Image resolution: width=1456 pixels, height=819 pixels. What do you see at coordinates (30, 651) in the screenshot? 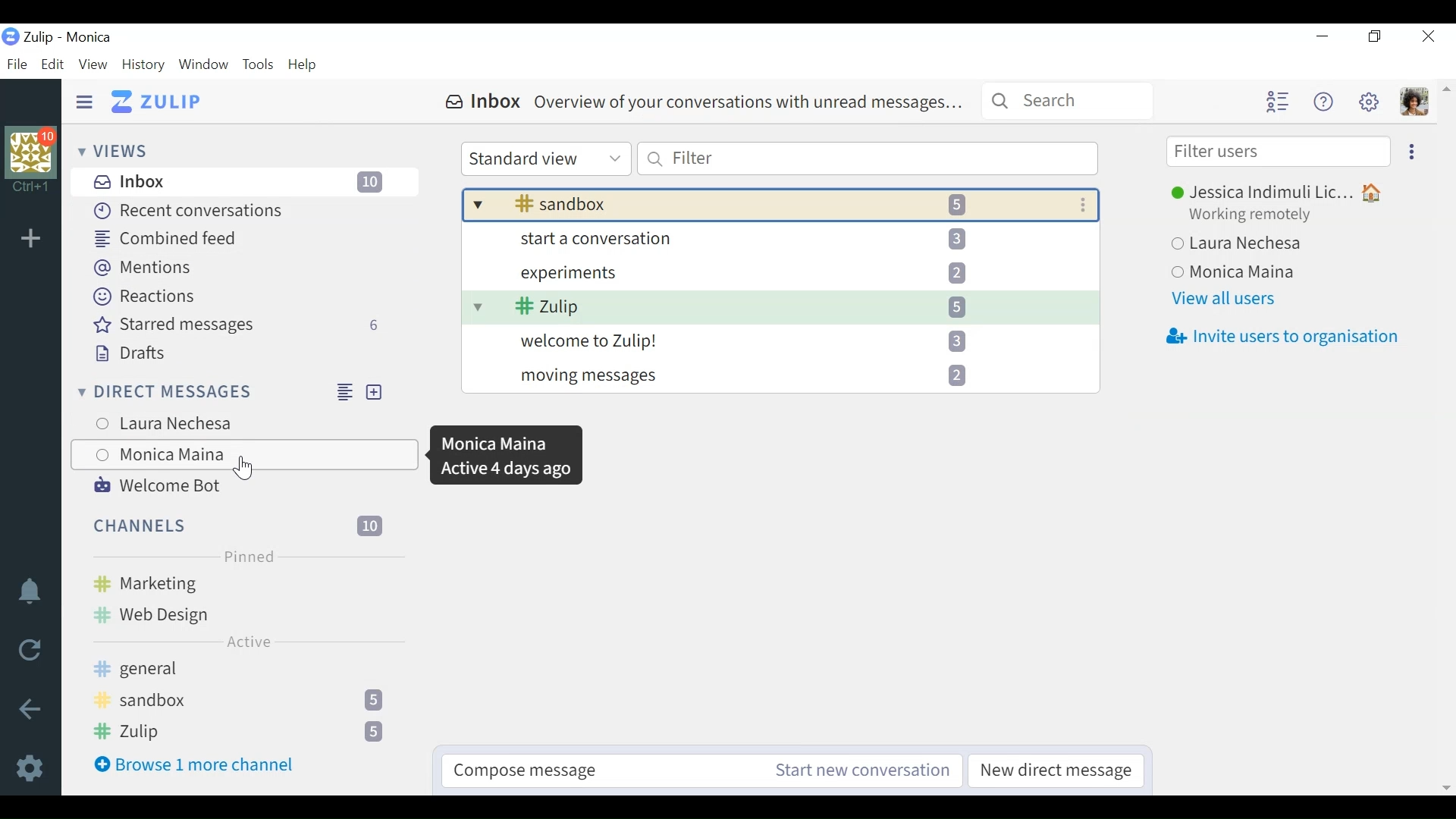
I see `Reload` at bounding box center [30, 651].